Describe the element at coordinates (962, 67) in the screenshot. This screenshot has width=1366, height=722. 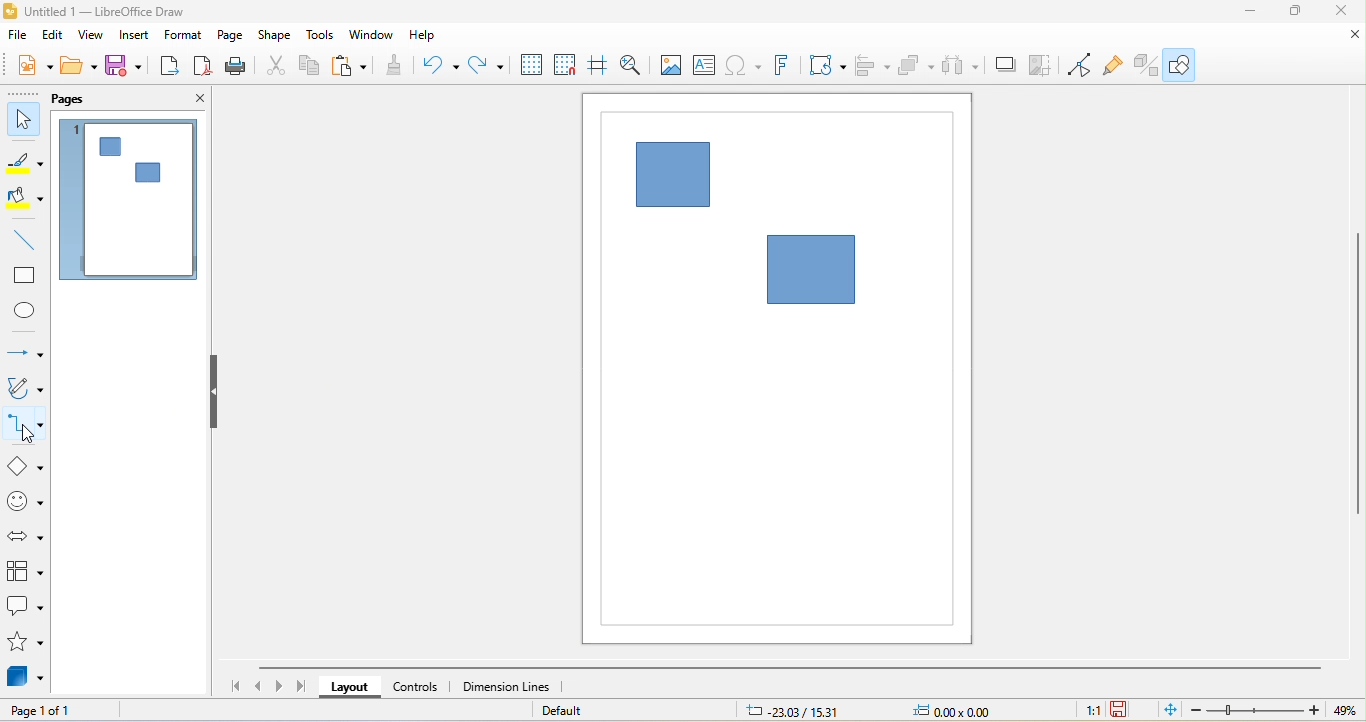
I see `select at least three object` at that location.